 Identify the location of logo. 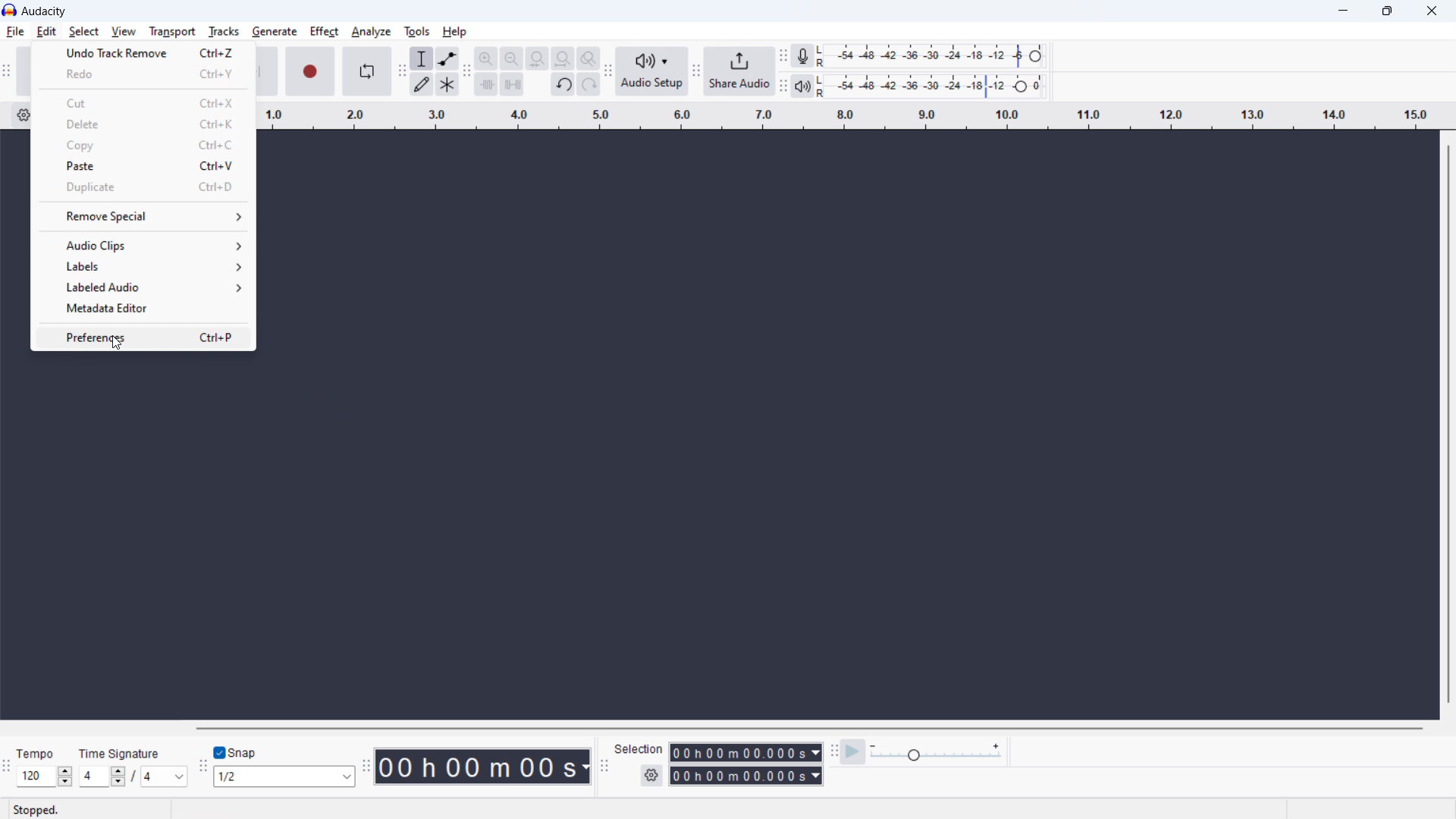
(10, 10).